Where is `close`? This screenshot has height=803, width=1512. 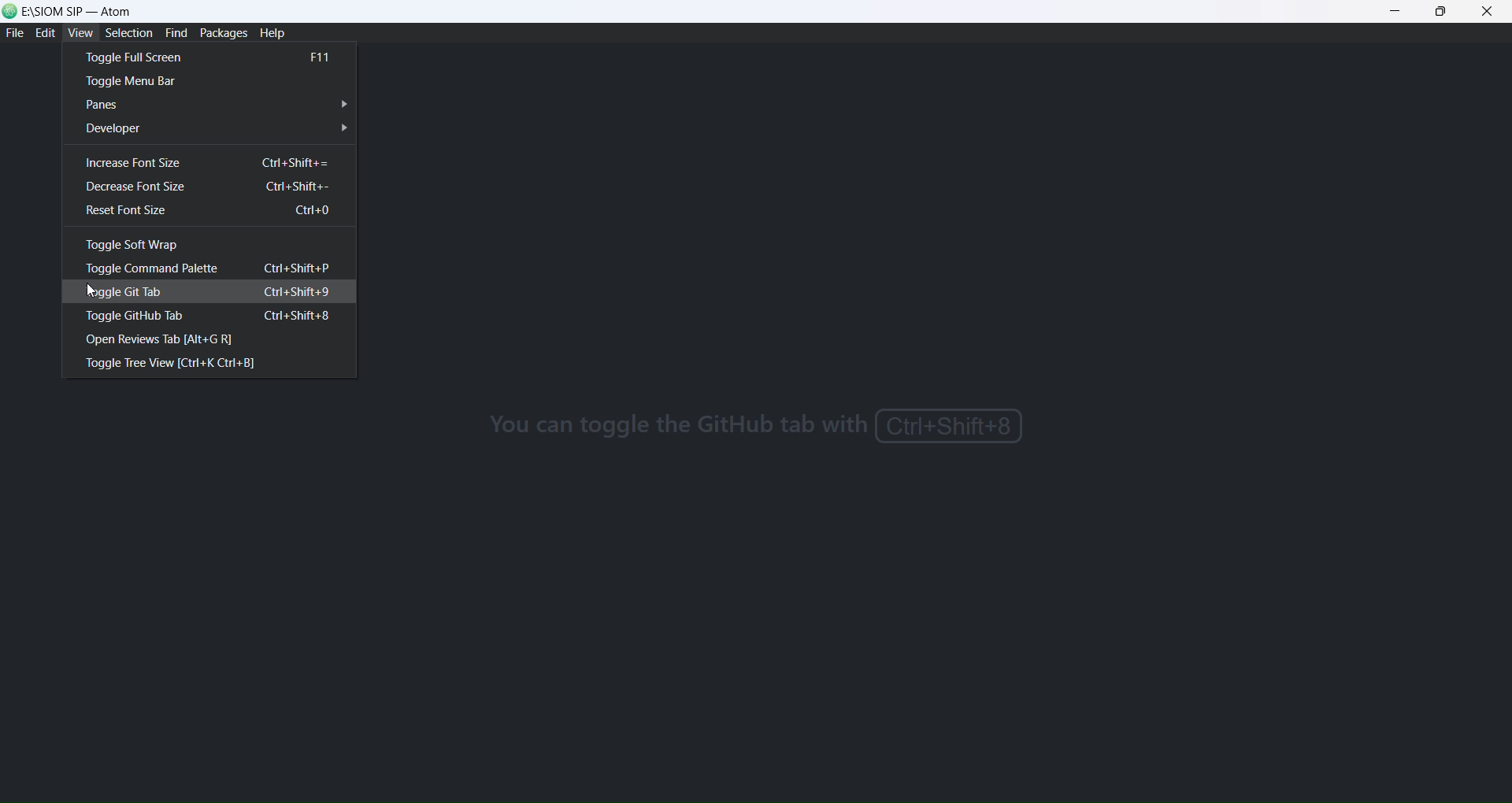 close is located at coordinates (1491, 12).